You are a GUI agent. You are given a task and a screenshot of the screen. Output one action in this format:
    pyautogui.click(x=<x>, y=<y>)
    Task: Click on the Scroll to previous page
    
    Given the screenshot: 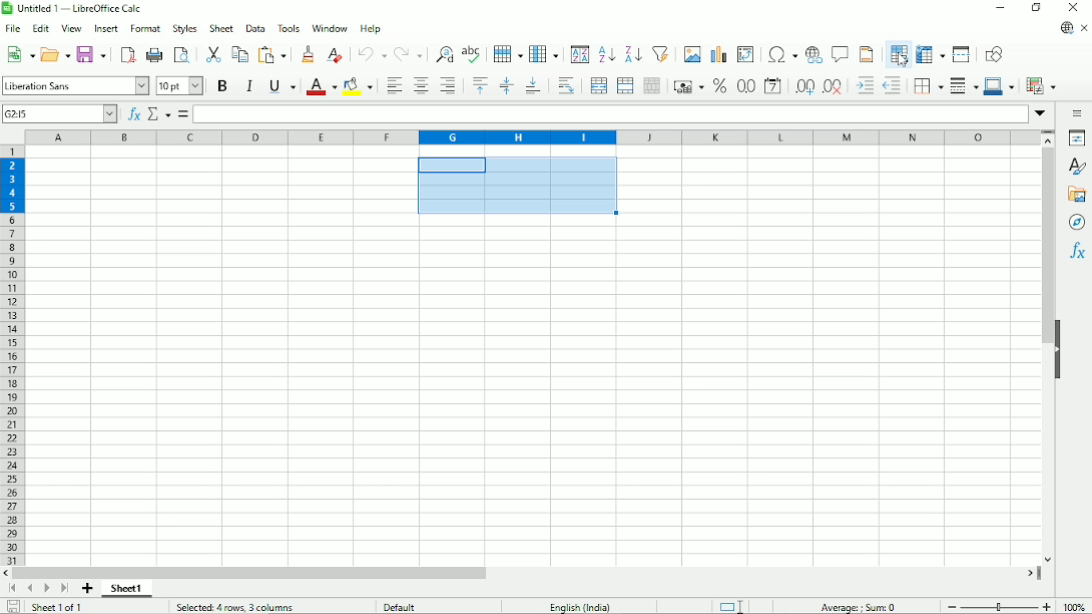 What is the action you would take?
    pyautogui.click(x=29, y=589)
    